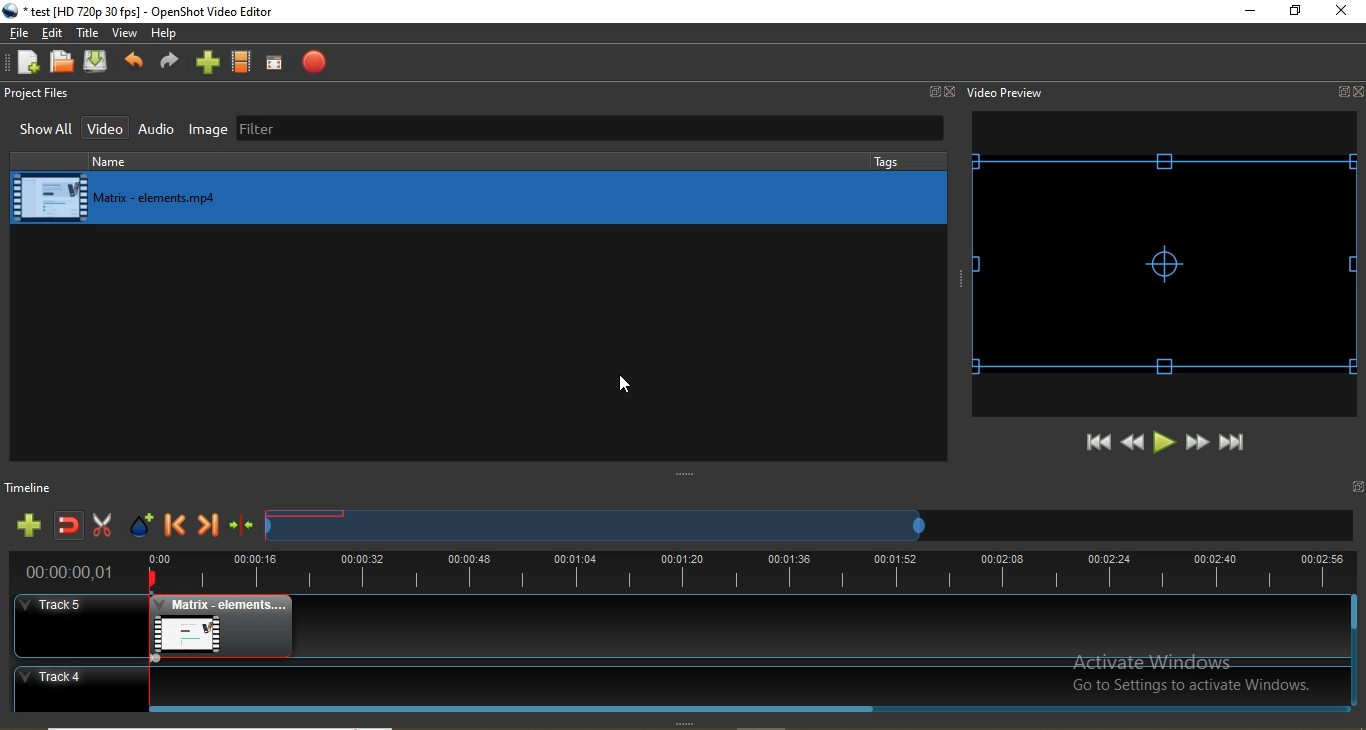 This screenshot has width=1366, height=730. What do you see at coordinates (520, 712) in the screenshot?
I see `Horizontal Scroll bar` at bounding box center [520, 712].